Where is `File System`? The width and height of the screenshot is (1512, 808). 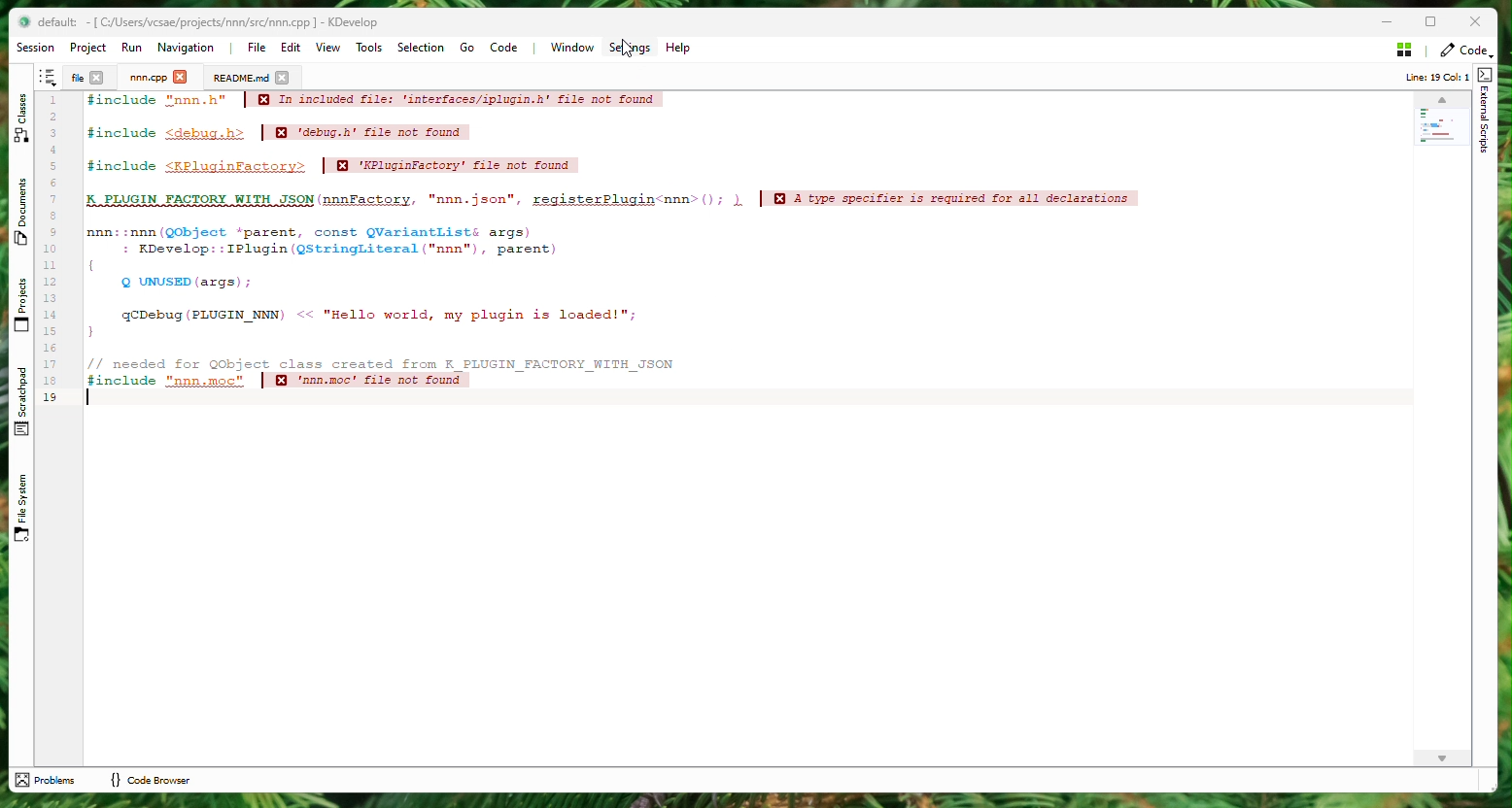 File System is located at coordinates (21, 508).